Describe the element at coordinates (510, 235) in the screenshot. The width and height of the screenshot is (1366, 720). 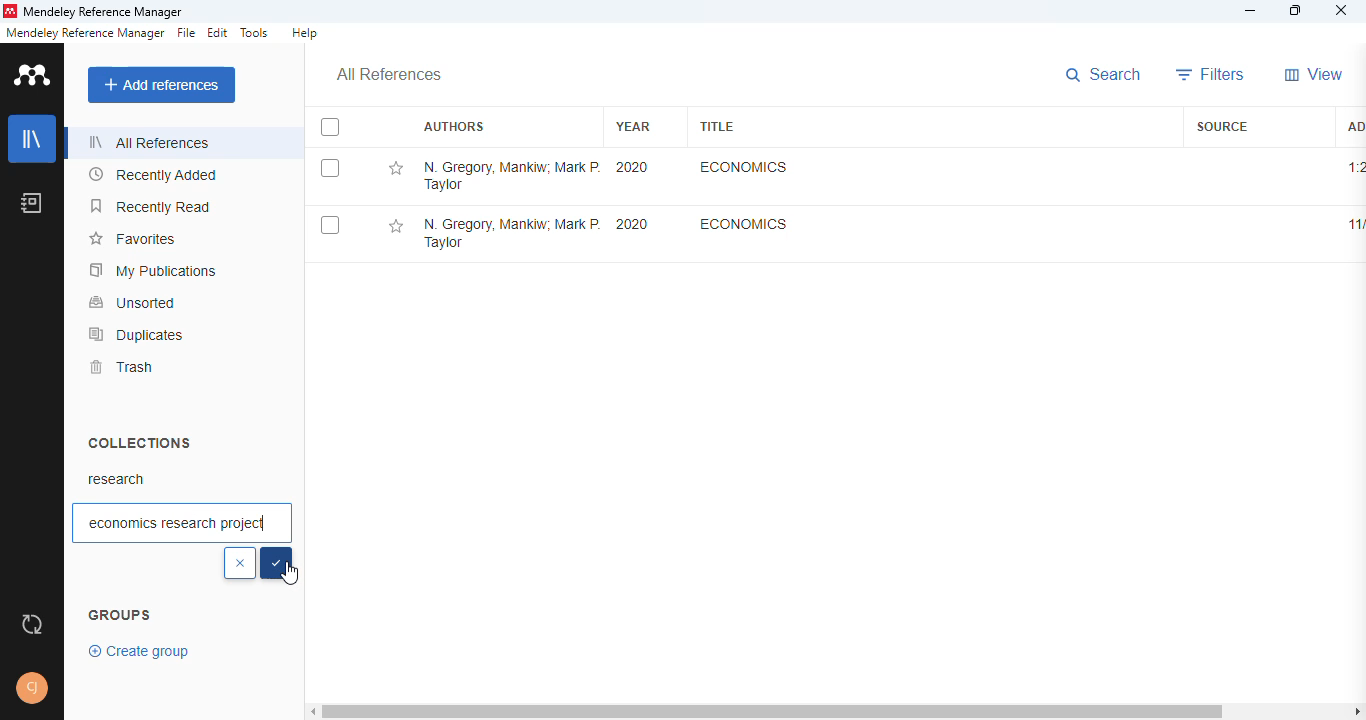
I see `N. Gregory Mankiw, Mark P. Taylor` at that location.